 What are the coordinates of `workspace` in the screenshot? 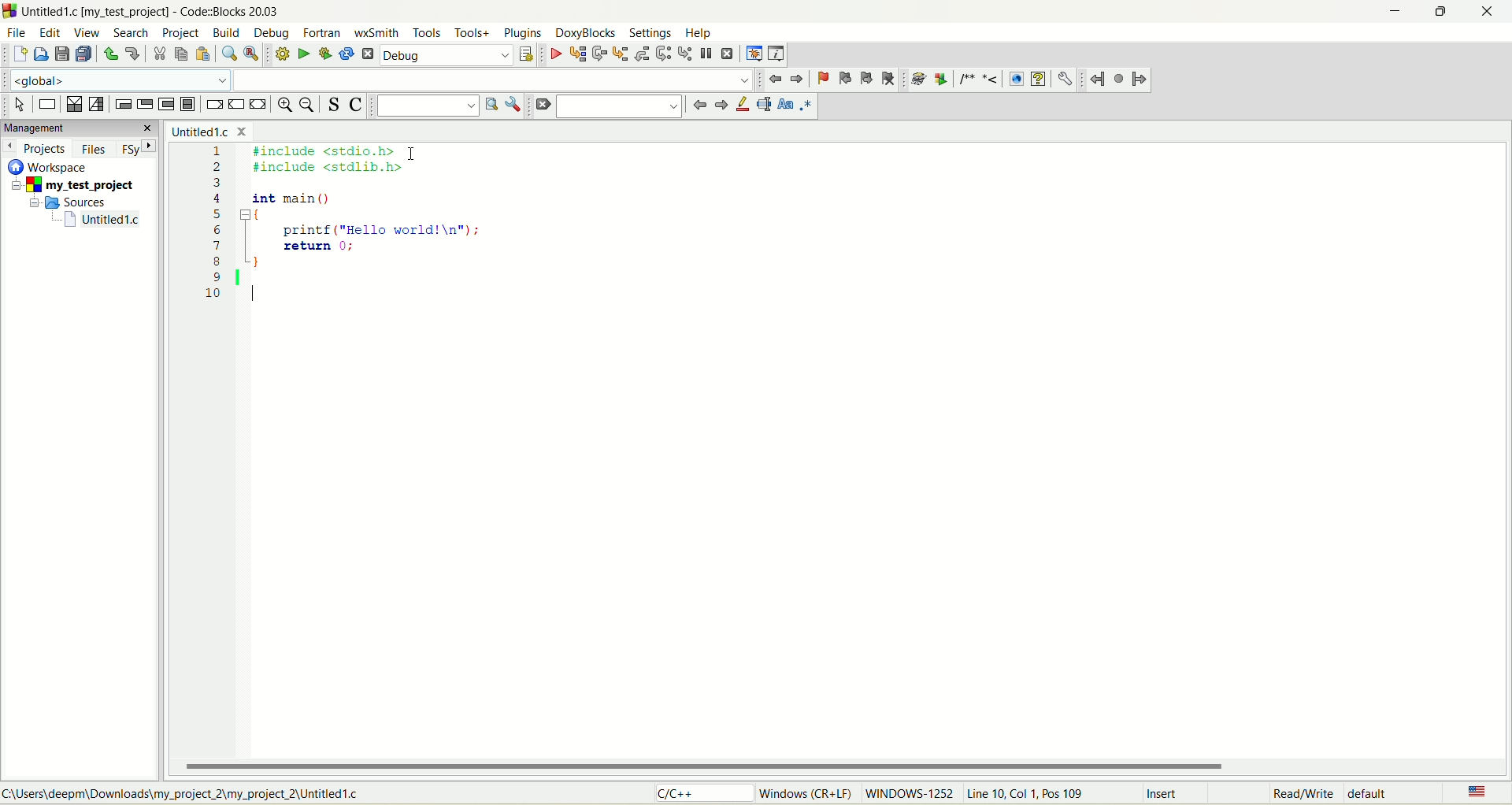 It's located at (50, 167).